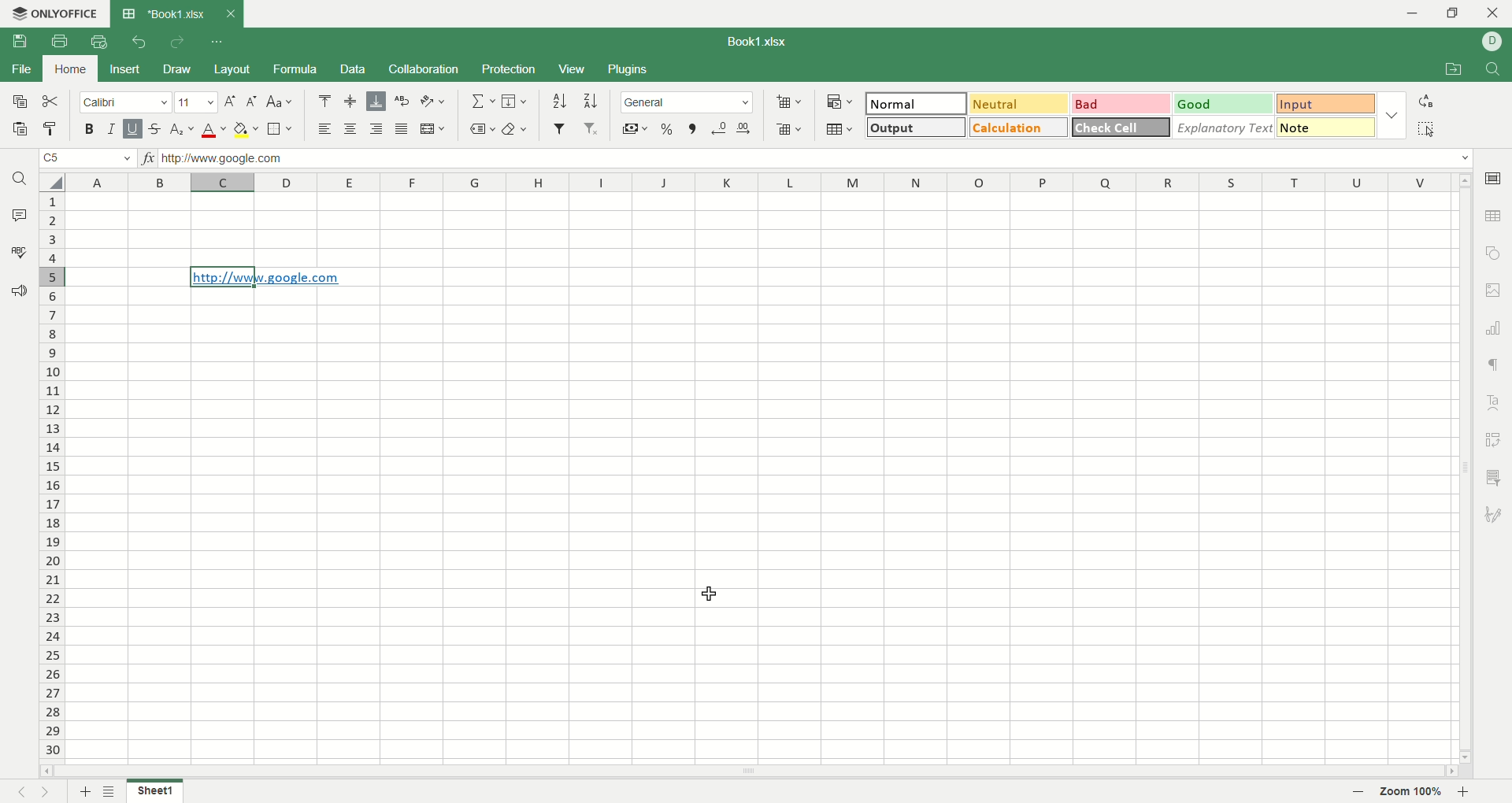 This screenshot has width=1512, height=803. I want to click on insert, so click(126, 68).